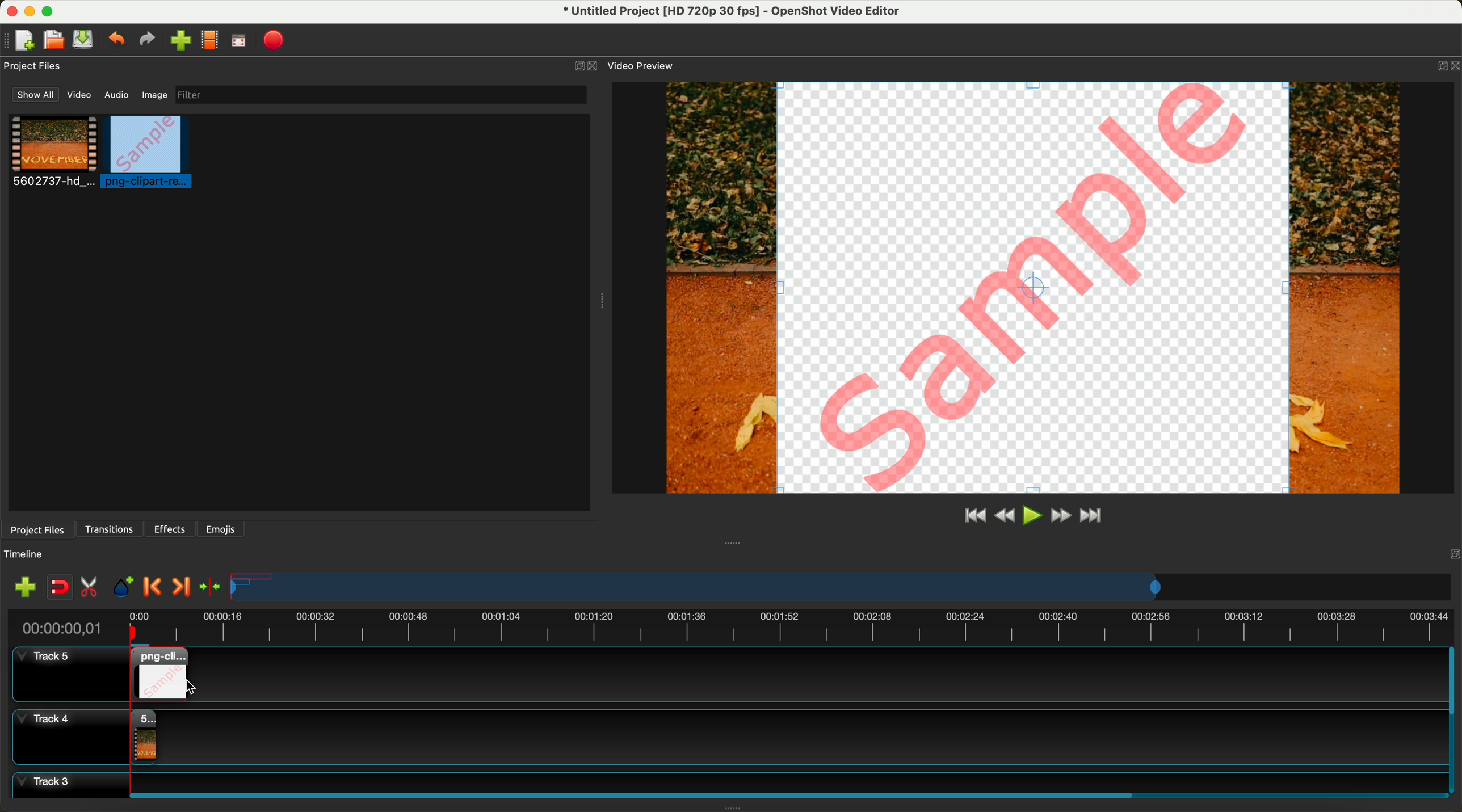  Describe the element at coordinates (22, 586) in the screenshot. I see `import files` at that location.